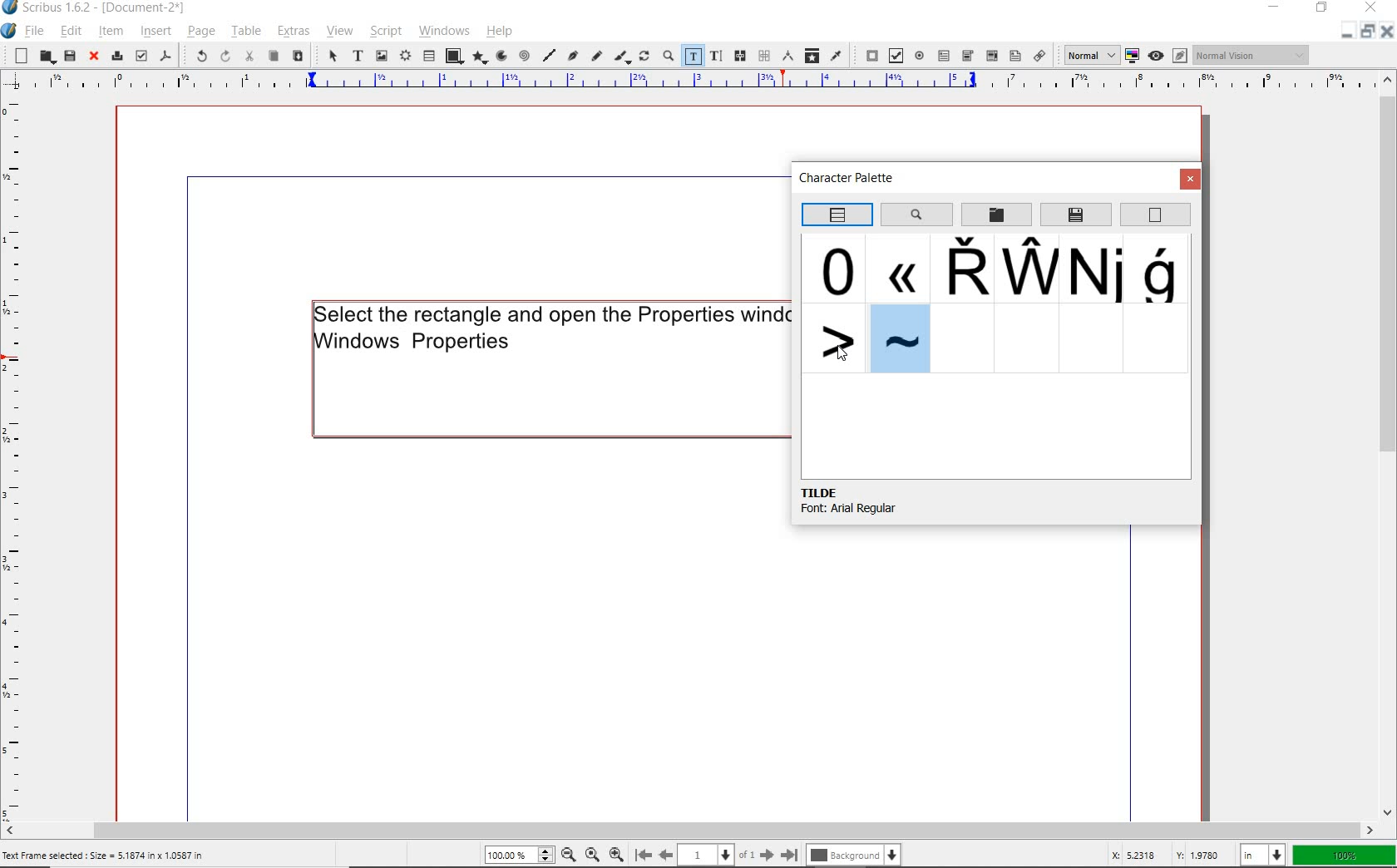 This screenshot has height=868, width=1397. Describe the element at coordinates (1086, 54) in the screenshot. I see `Normal` at that location.